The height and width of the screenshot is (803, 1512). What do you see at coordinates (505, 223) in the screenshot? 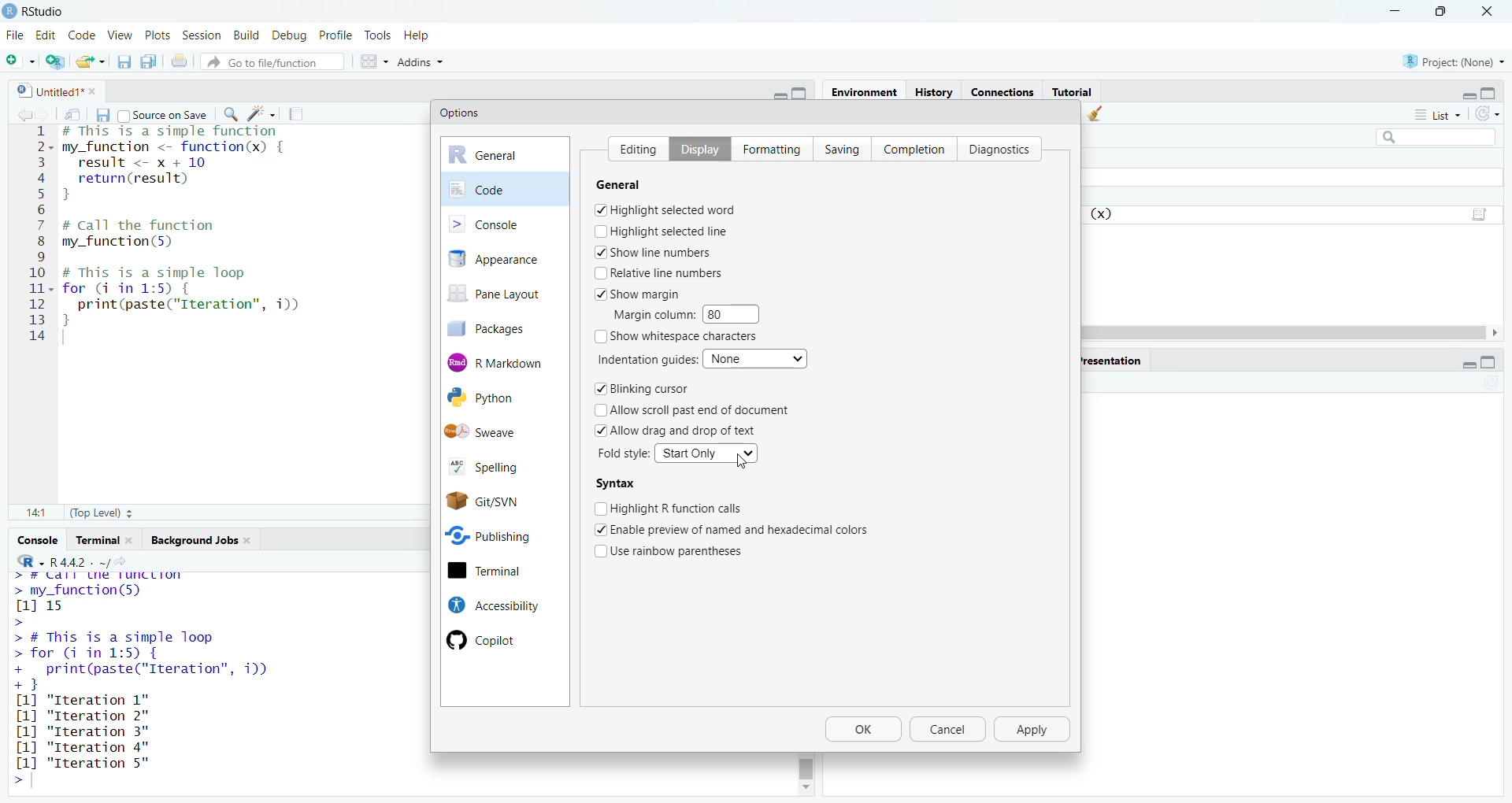
I see `console` at bounding box center [505, 223].